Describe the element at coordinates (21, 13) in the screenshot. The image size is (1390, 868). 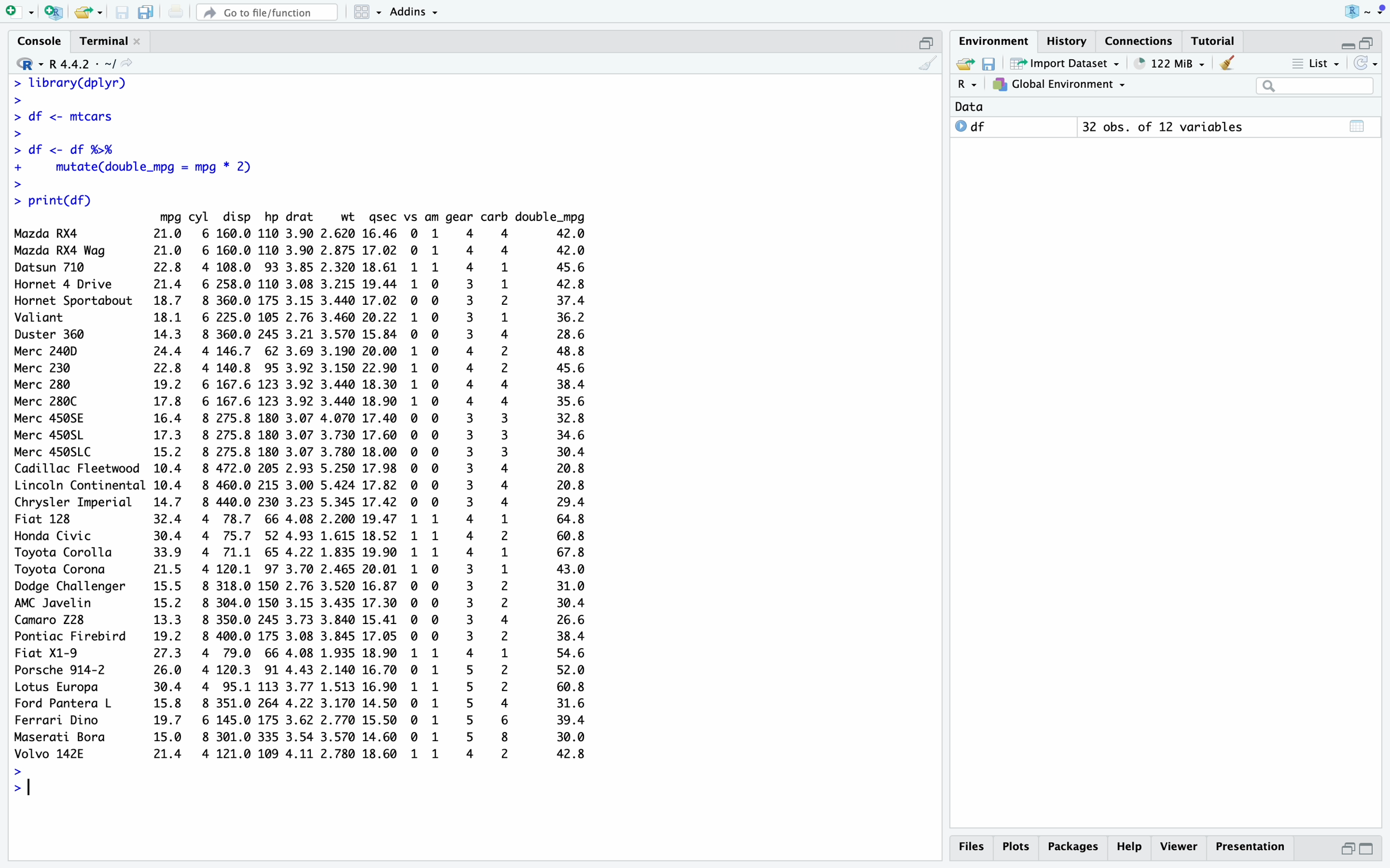
I see `Add file as` at that location.